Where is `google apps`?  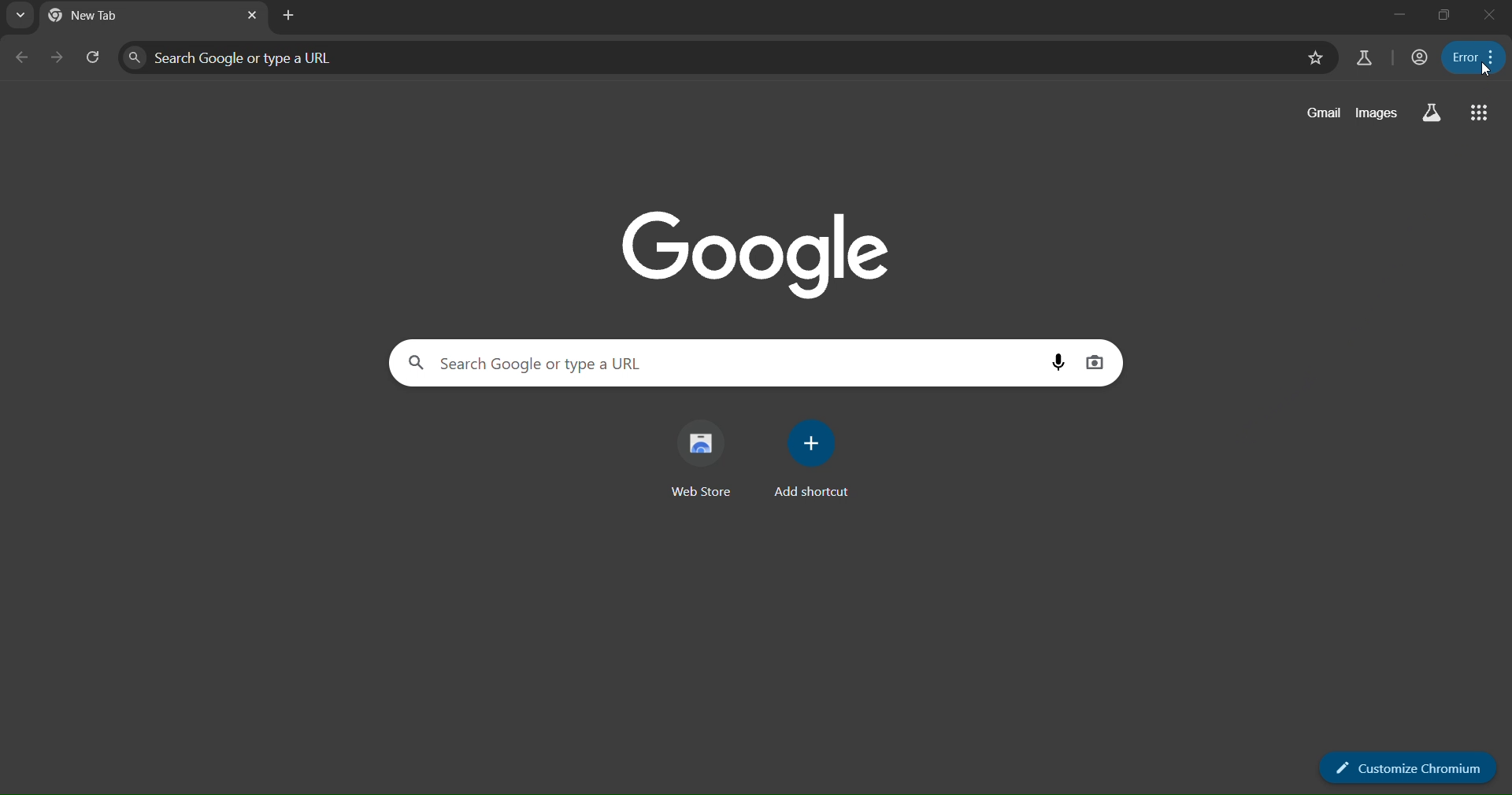
google apps is located at coordinates (1477, 113).